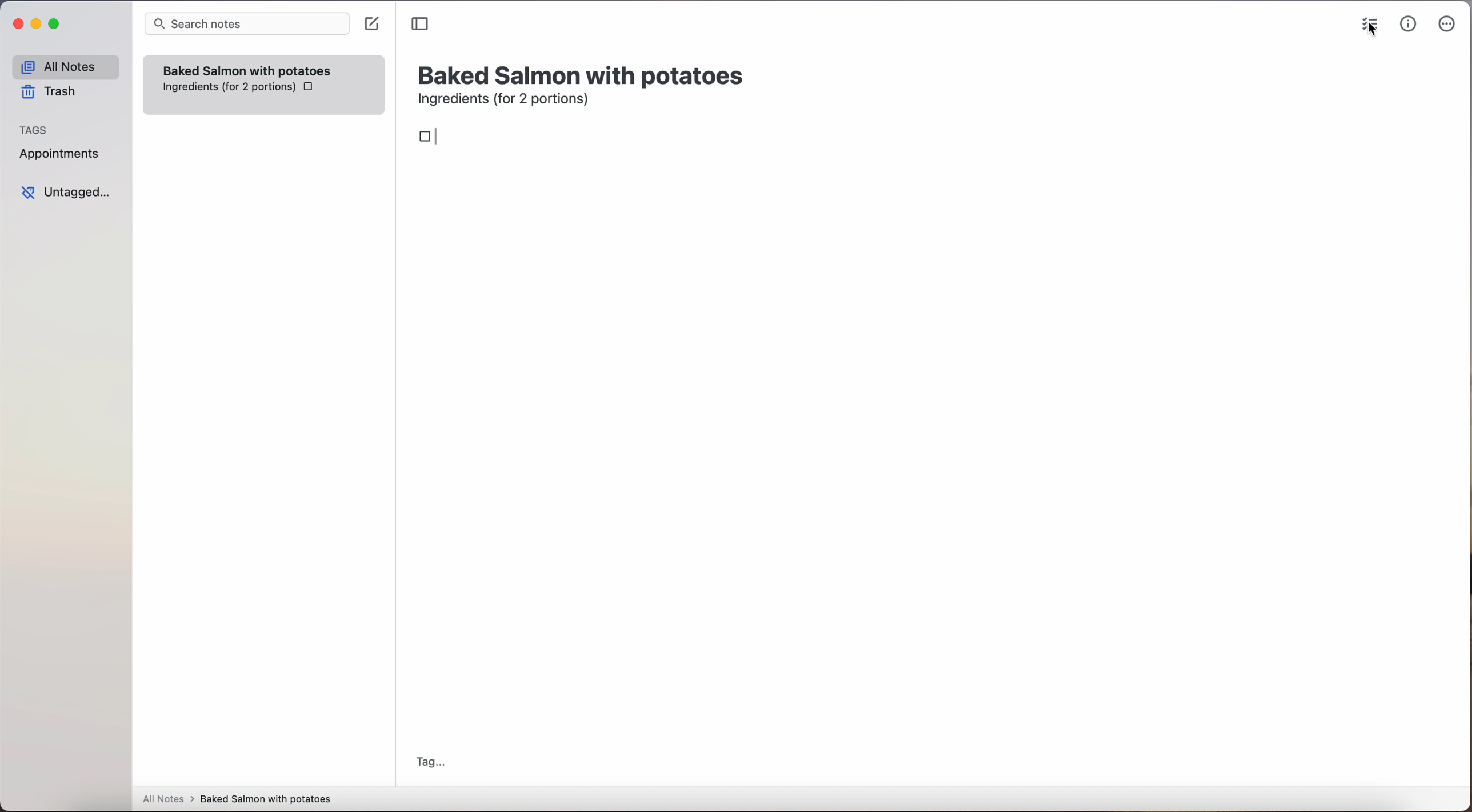 The height and width of the screenshot is (812, 1472). What do you see at coordinates (1370, 34) in the screenshot?
I see `cursor` at bounding box center [1370, 34].